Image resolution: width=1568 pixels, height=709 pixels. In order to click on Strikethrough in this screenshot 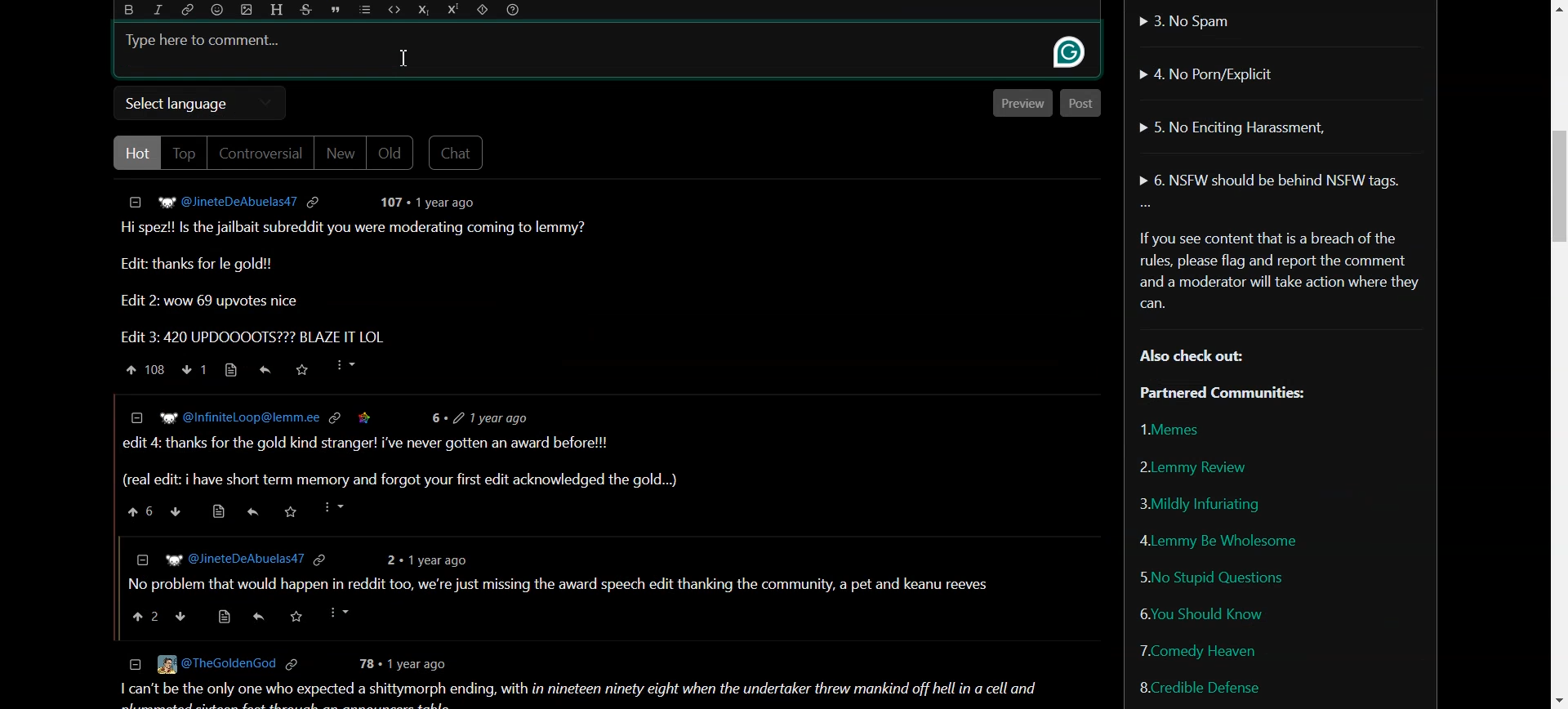, I will do `click(307, 10)`.